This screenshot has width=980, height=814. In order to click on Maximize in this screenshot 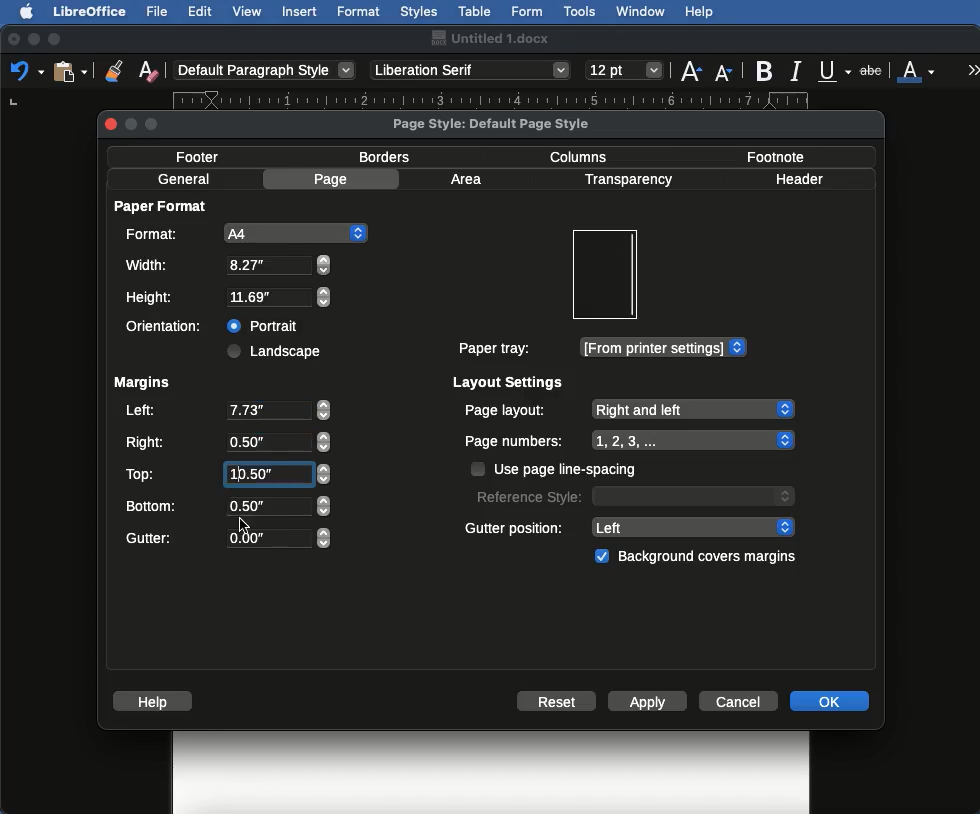, I will do `click(56, 39)`.